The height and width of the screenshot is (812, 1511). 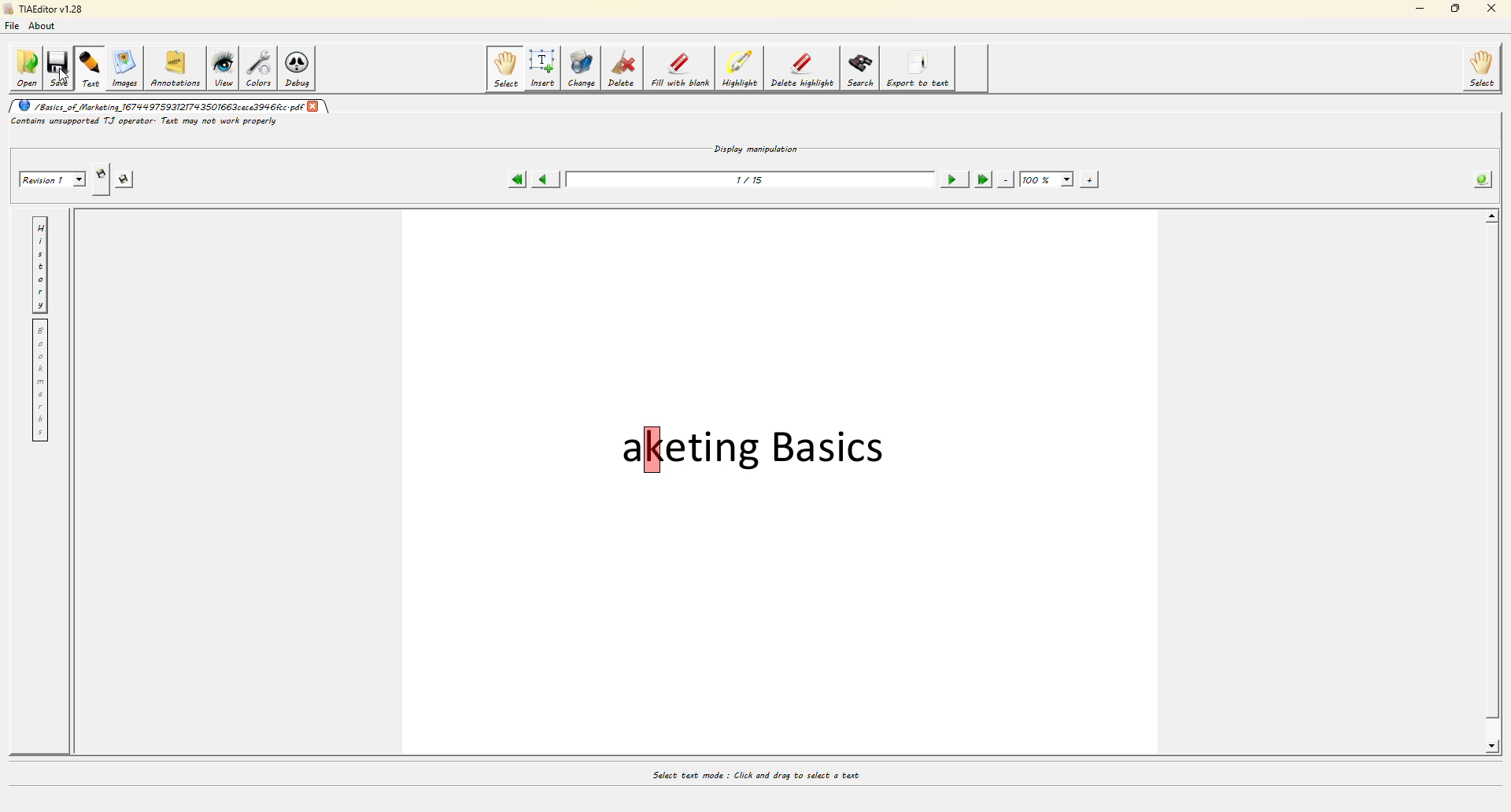 I want to click on images, so click(x=124, y=68).